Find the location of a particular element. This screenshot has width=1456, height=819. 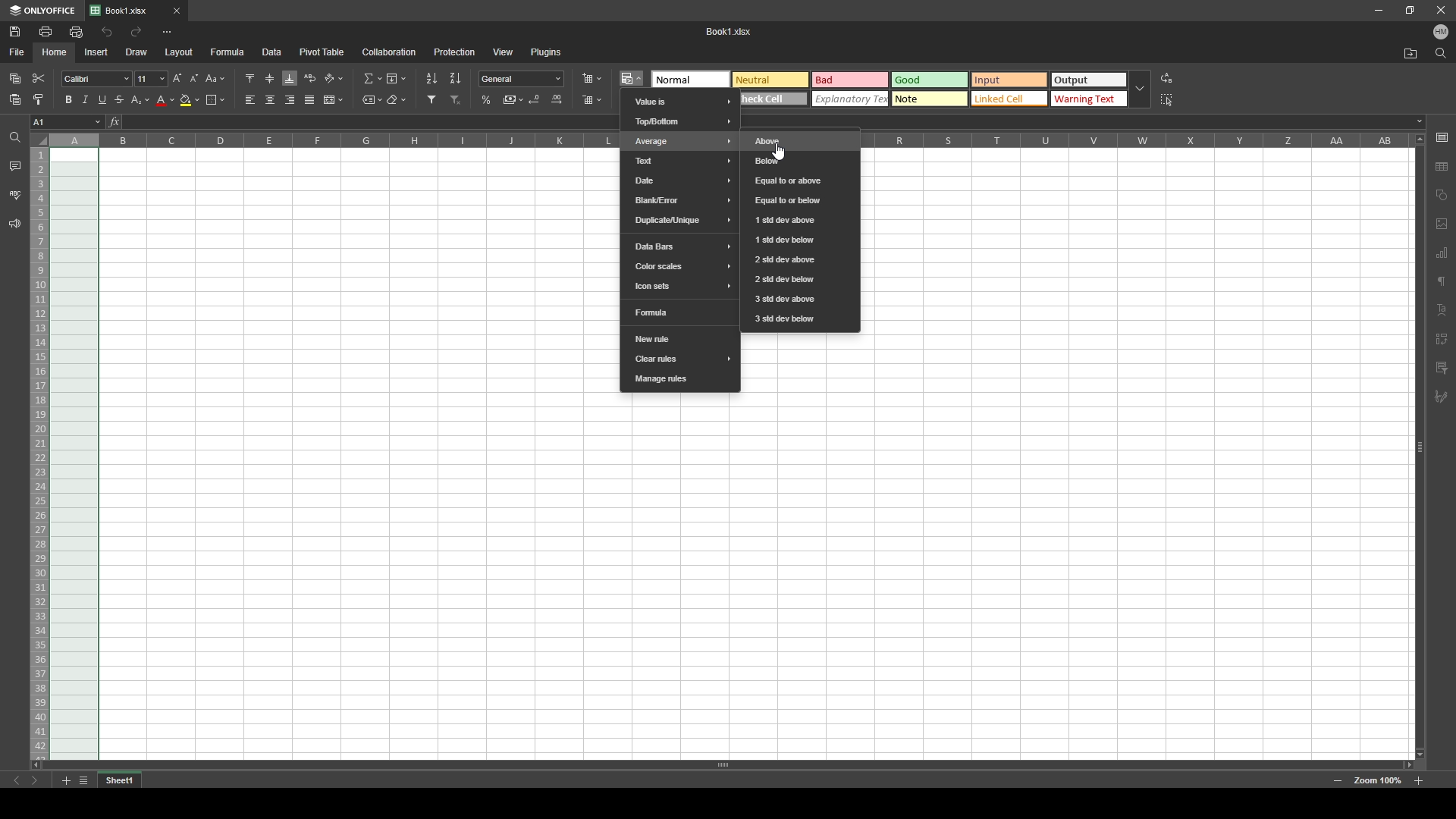

selected column is located at coordinates (74, 140).